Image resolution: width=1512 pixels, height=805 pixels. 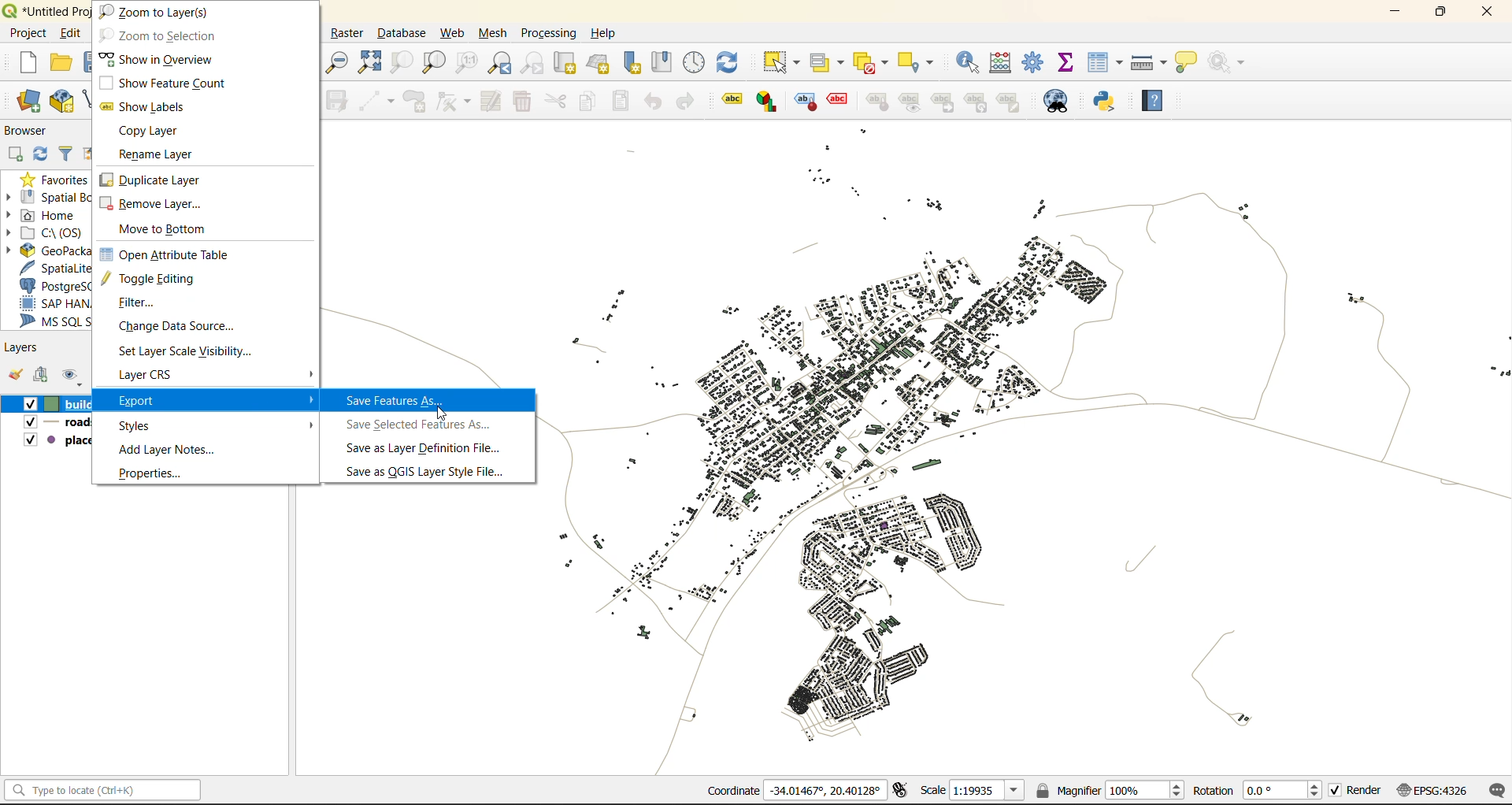 I want to click on status  bar, so click(x=106, y=791).